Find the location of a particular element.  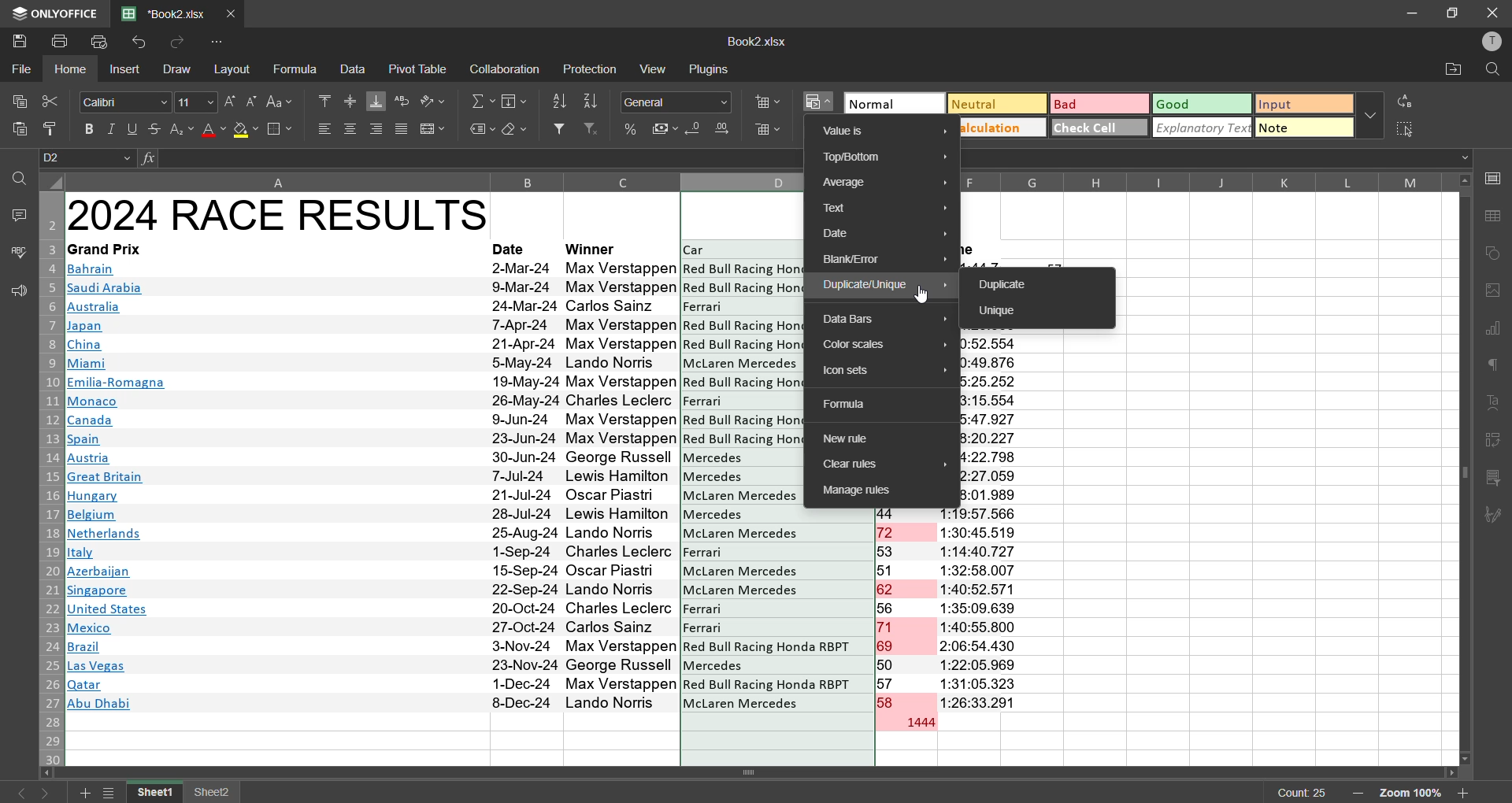

sheet list is located at coordinates (112, 794).